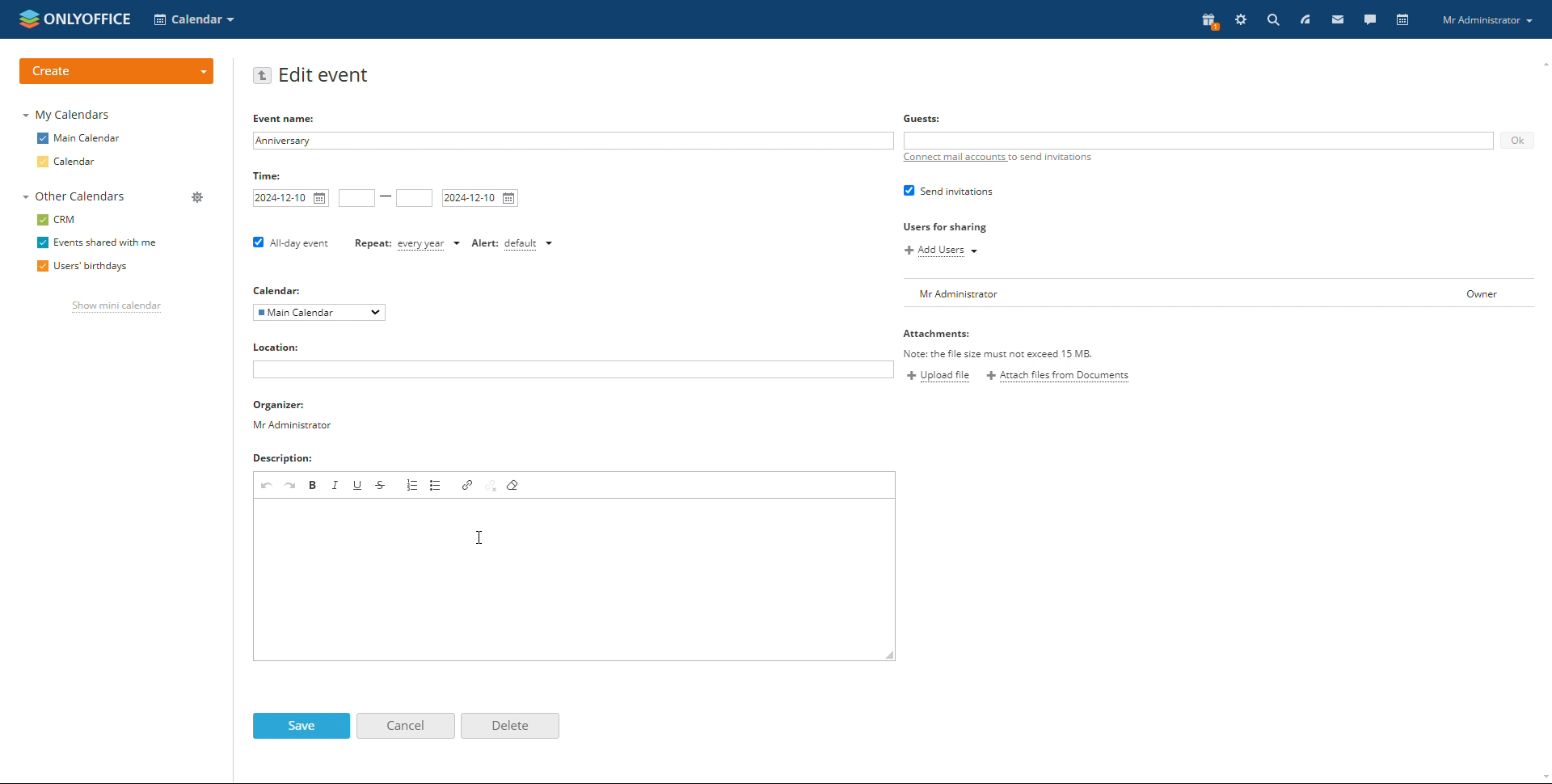 This screenshot has width=1552, height=784. Describe the element at coordinates (1338, 19) in the screenshot. I see `mail` at that location.